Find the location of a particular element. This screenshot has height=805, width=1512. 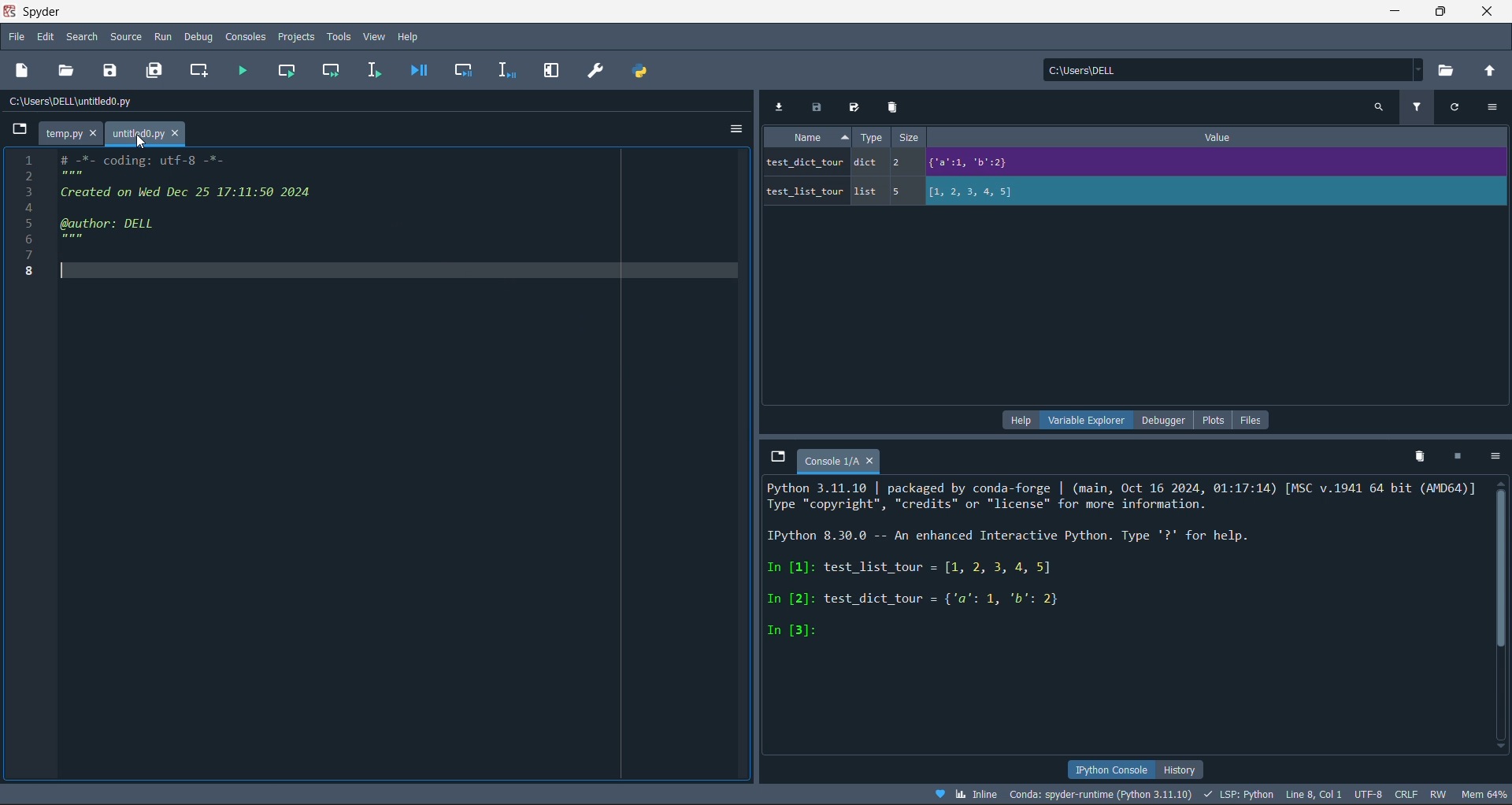

browse tab is located at coordinates (777, 458).